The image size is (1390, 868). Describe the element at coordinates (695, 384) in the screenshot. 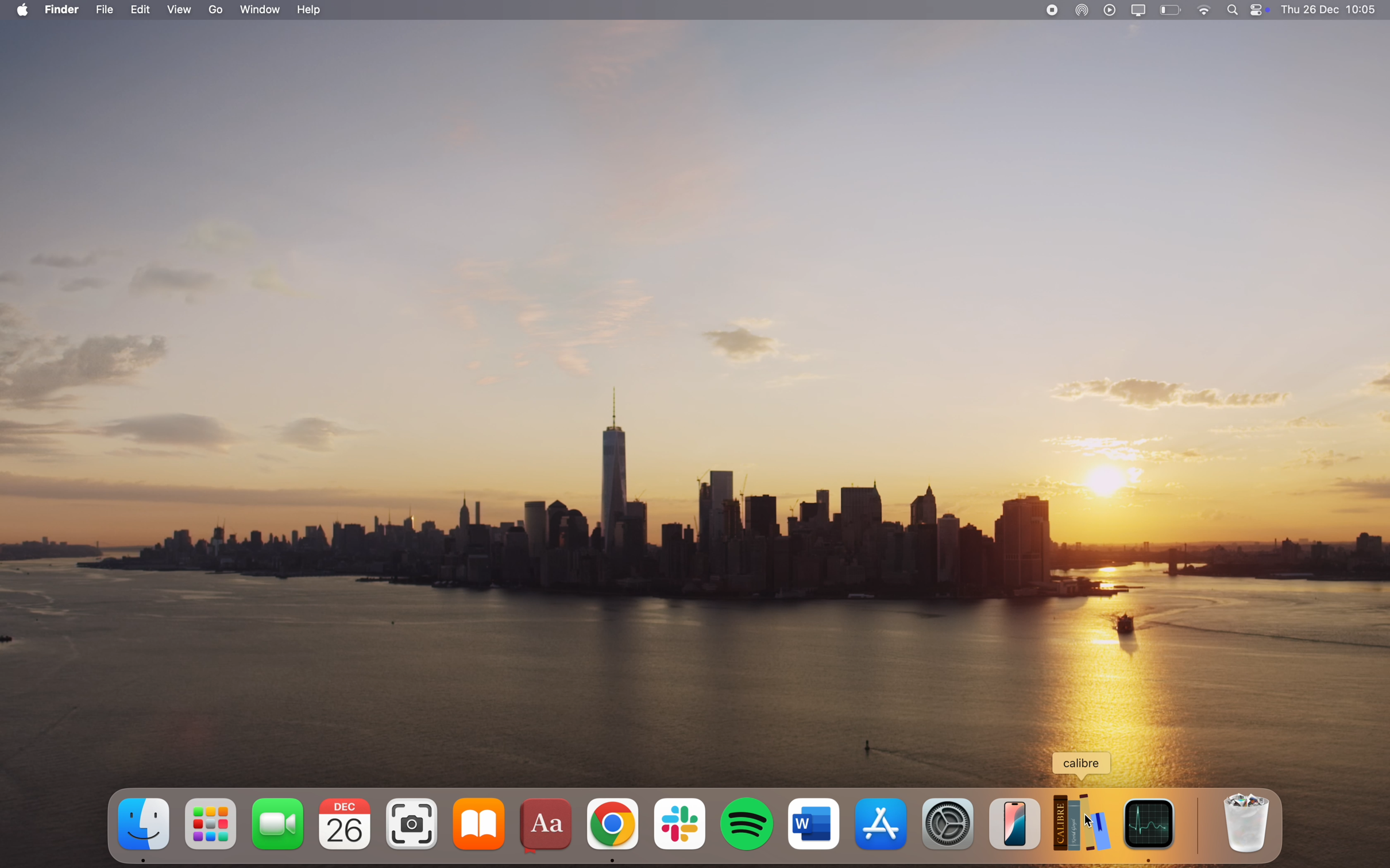

I see `background image` at that location.